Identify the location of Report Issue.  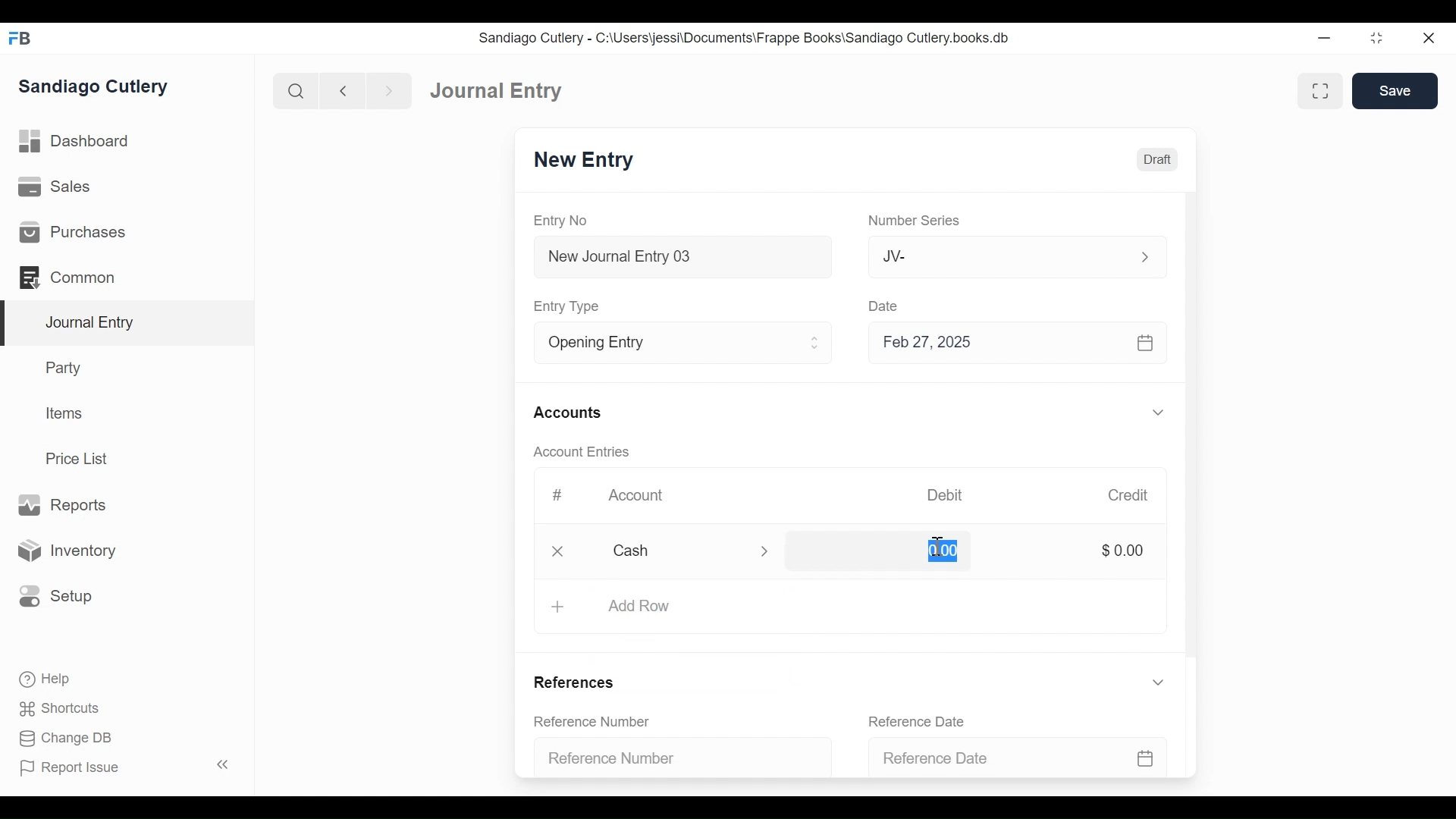
(71, 768).